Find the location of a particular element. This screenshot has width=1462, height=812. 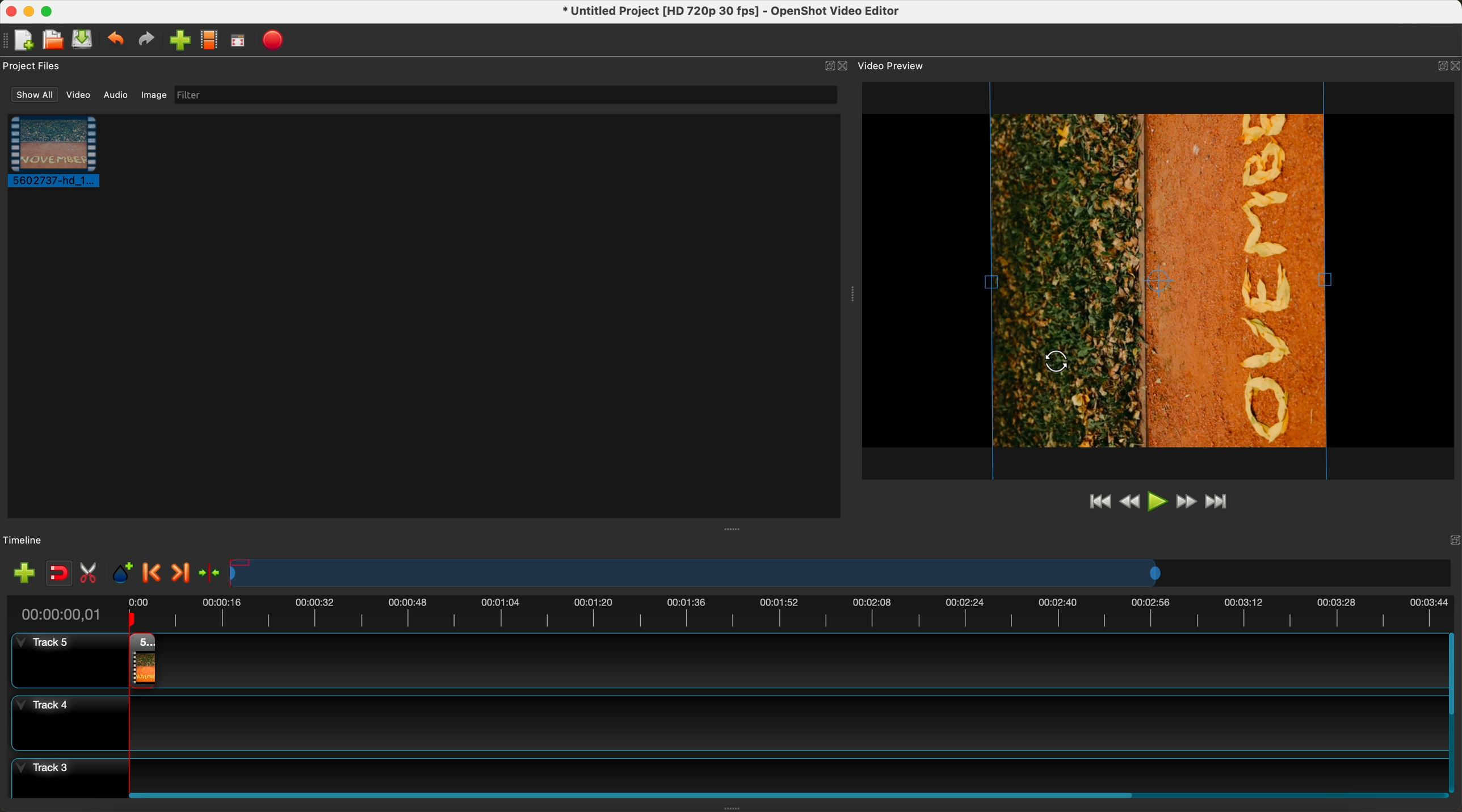

play is located at coordinates (1156, 502).